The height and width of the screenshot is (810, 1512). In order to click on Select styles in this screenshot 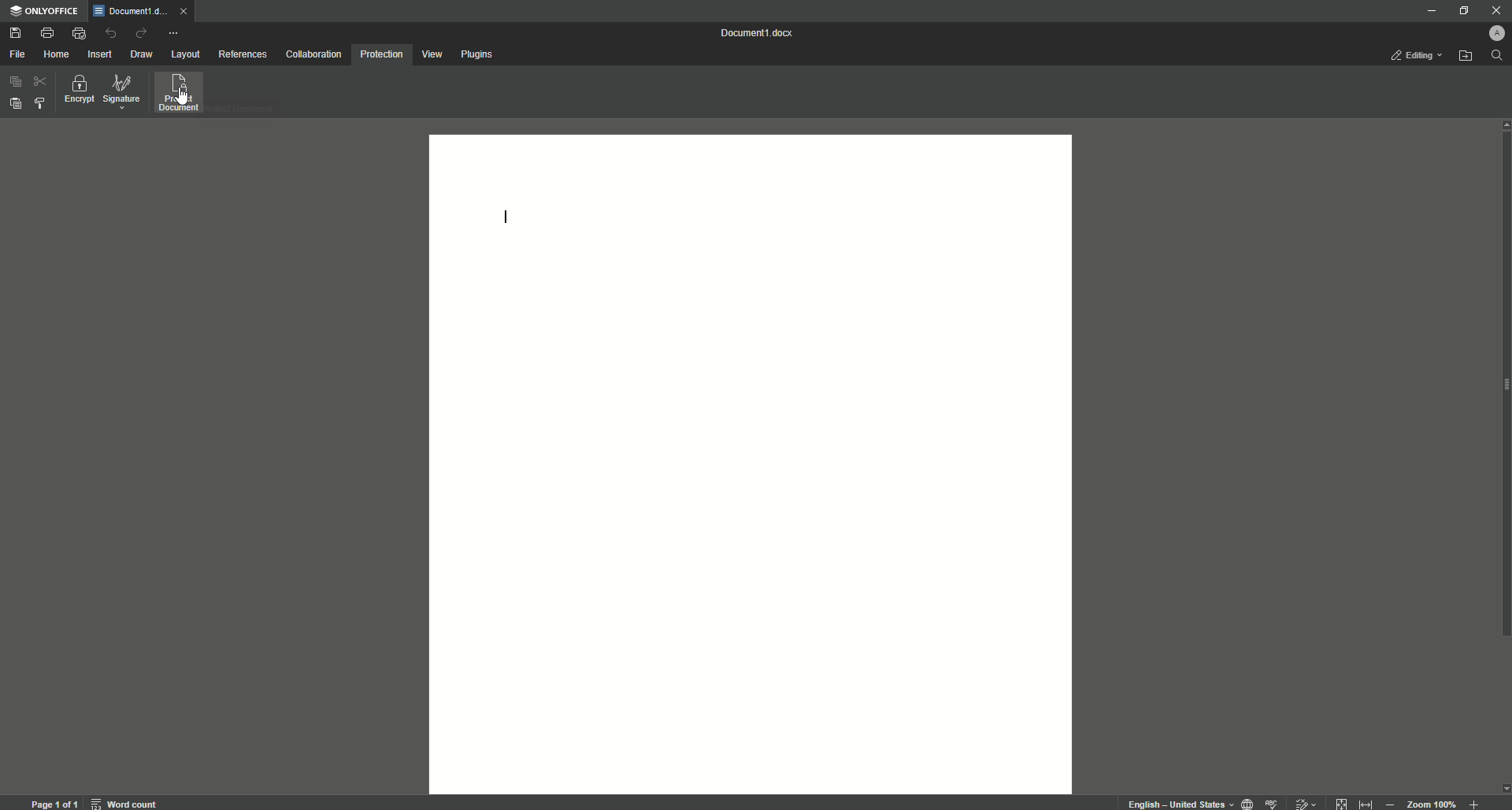, I will do `click(39, 105)`.